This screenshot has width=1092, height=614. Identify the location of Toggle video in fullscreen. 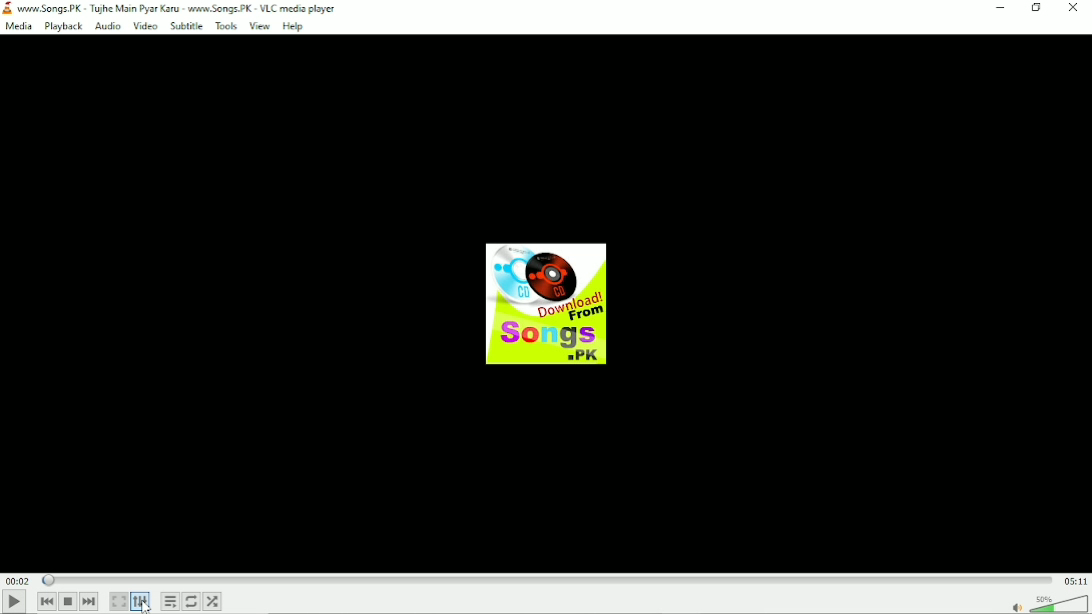
(119, 602).